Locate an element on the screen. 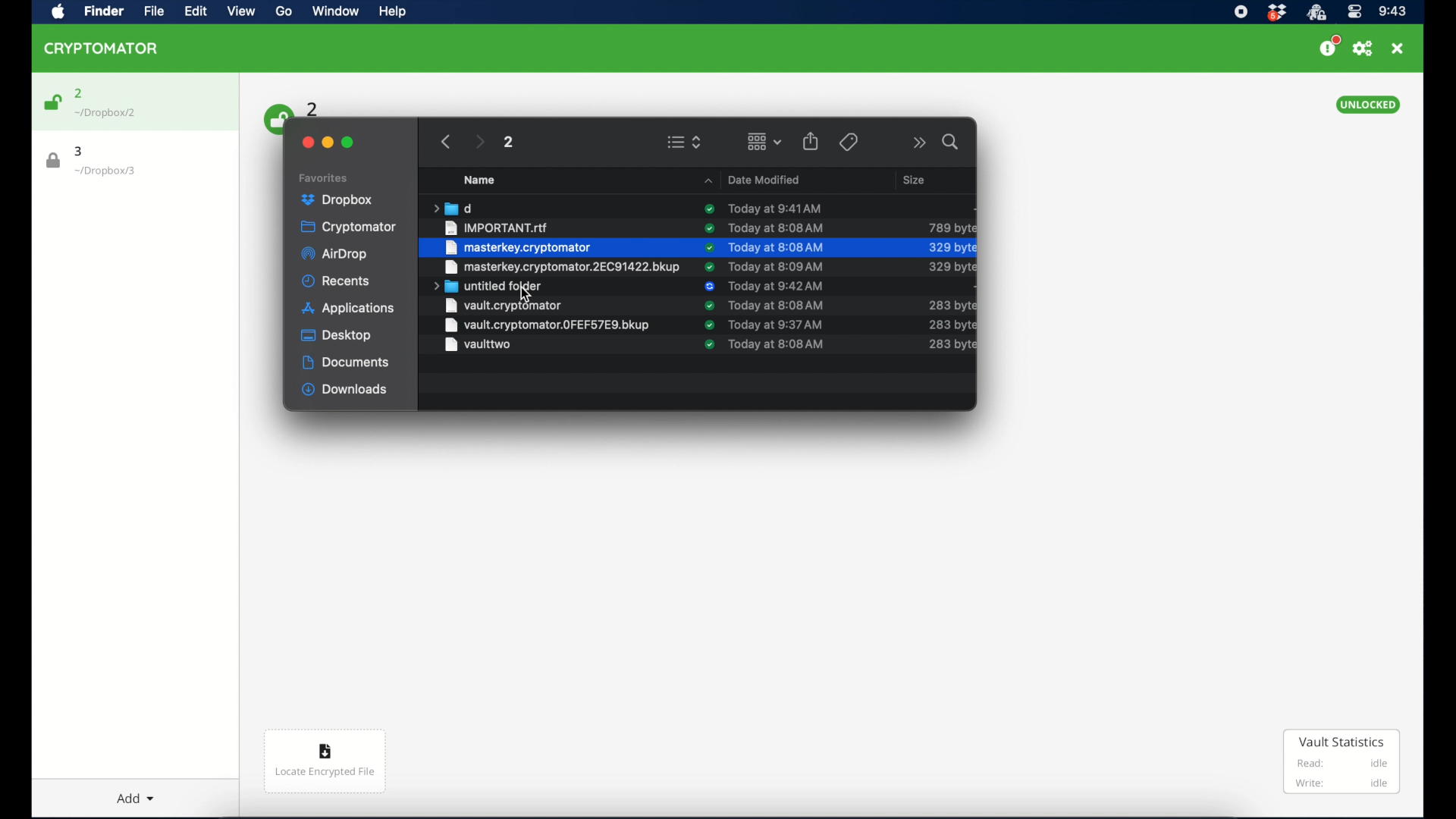  cryptomator is located at coordinates (348, 227).